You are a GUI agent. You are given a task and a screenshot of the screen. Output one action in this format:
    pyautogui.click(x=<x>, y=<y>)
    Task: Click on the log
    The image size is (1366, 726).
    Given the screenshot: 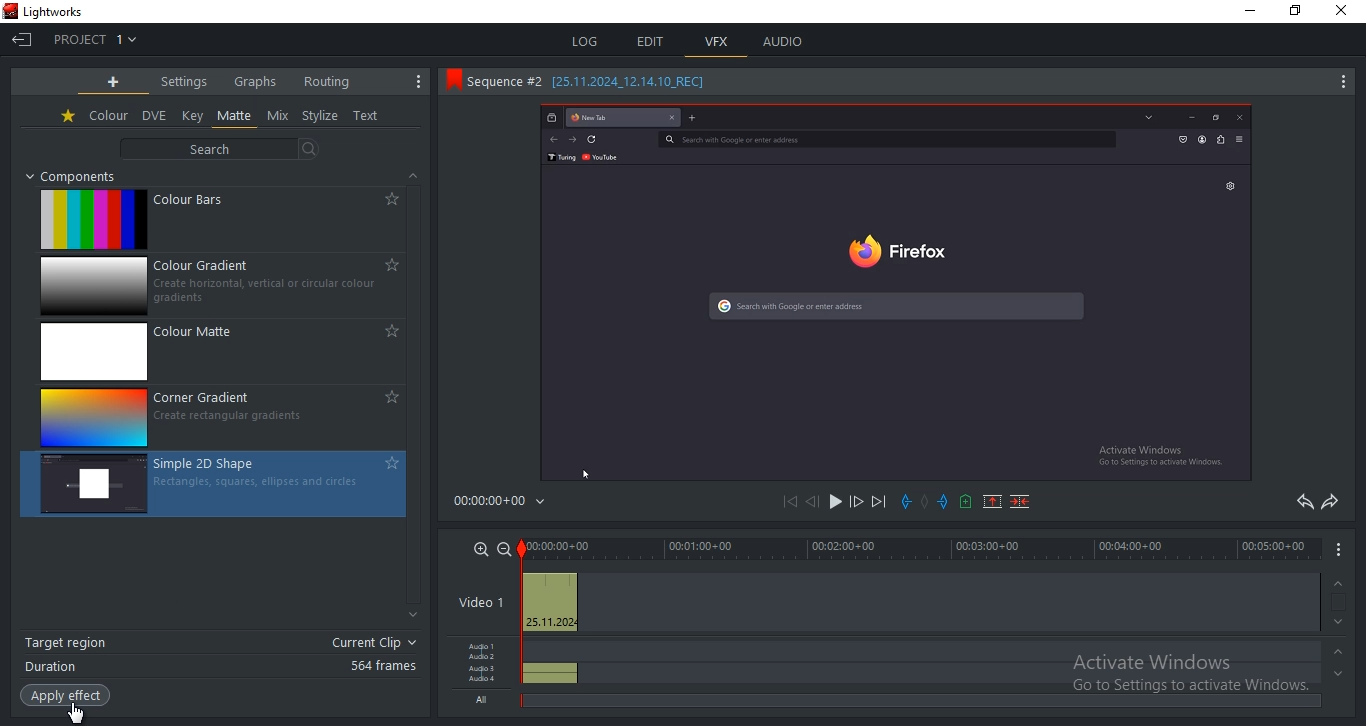 What is the action you would take?
    pyautogui.click(x=583, y=39)
    